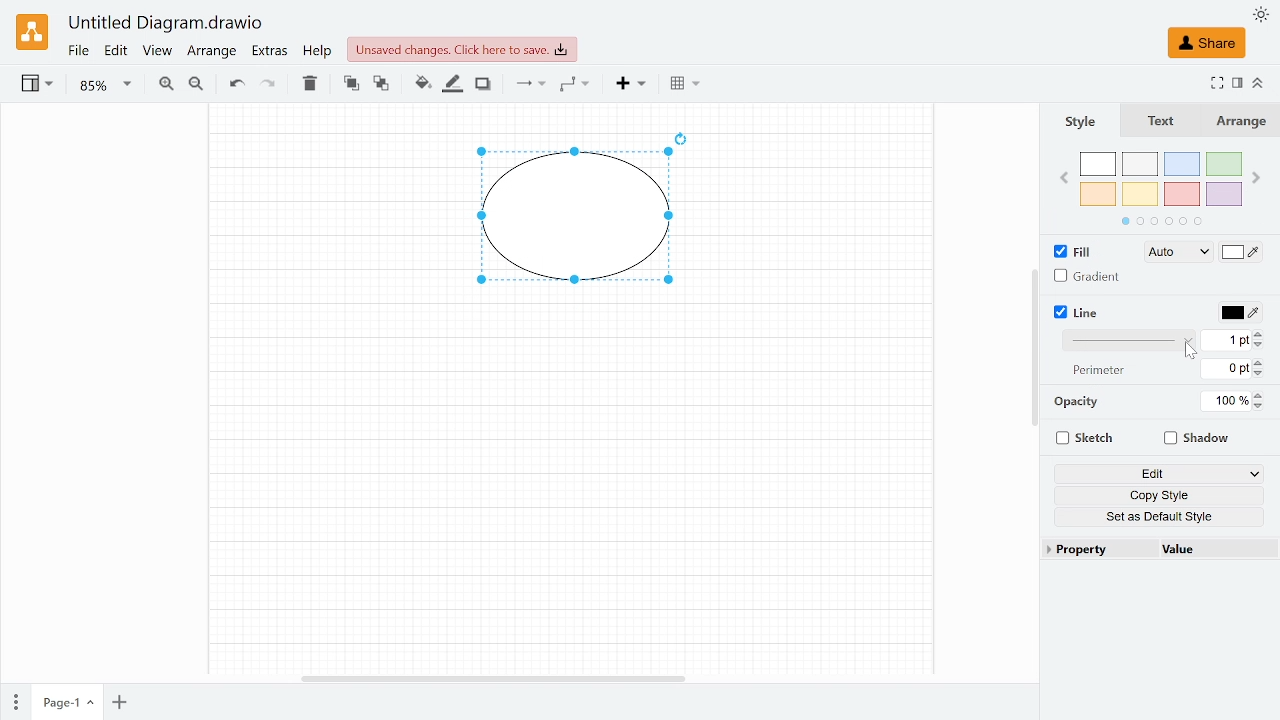 This screenshot has height=720, width=1280. I want to click on Fill color, so click(422, 83).